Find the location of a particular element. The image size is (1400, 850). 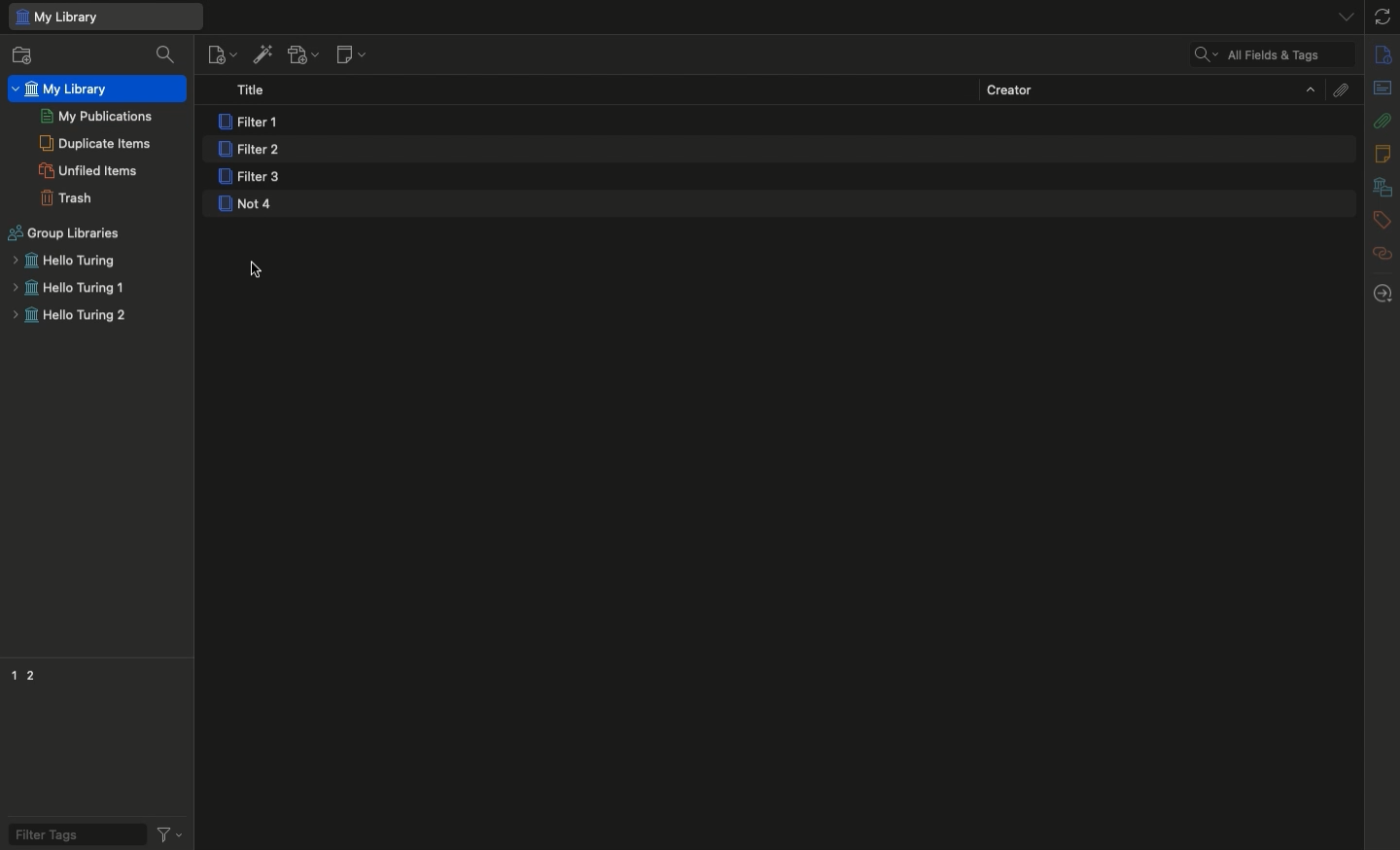

My library is located at coordinates (63, 89).